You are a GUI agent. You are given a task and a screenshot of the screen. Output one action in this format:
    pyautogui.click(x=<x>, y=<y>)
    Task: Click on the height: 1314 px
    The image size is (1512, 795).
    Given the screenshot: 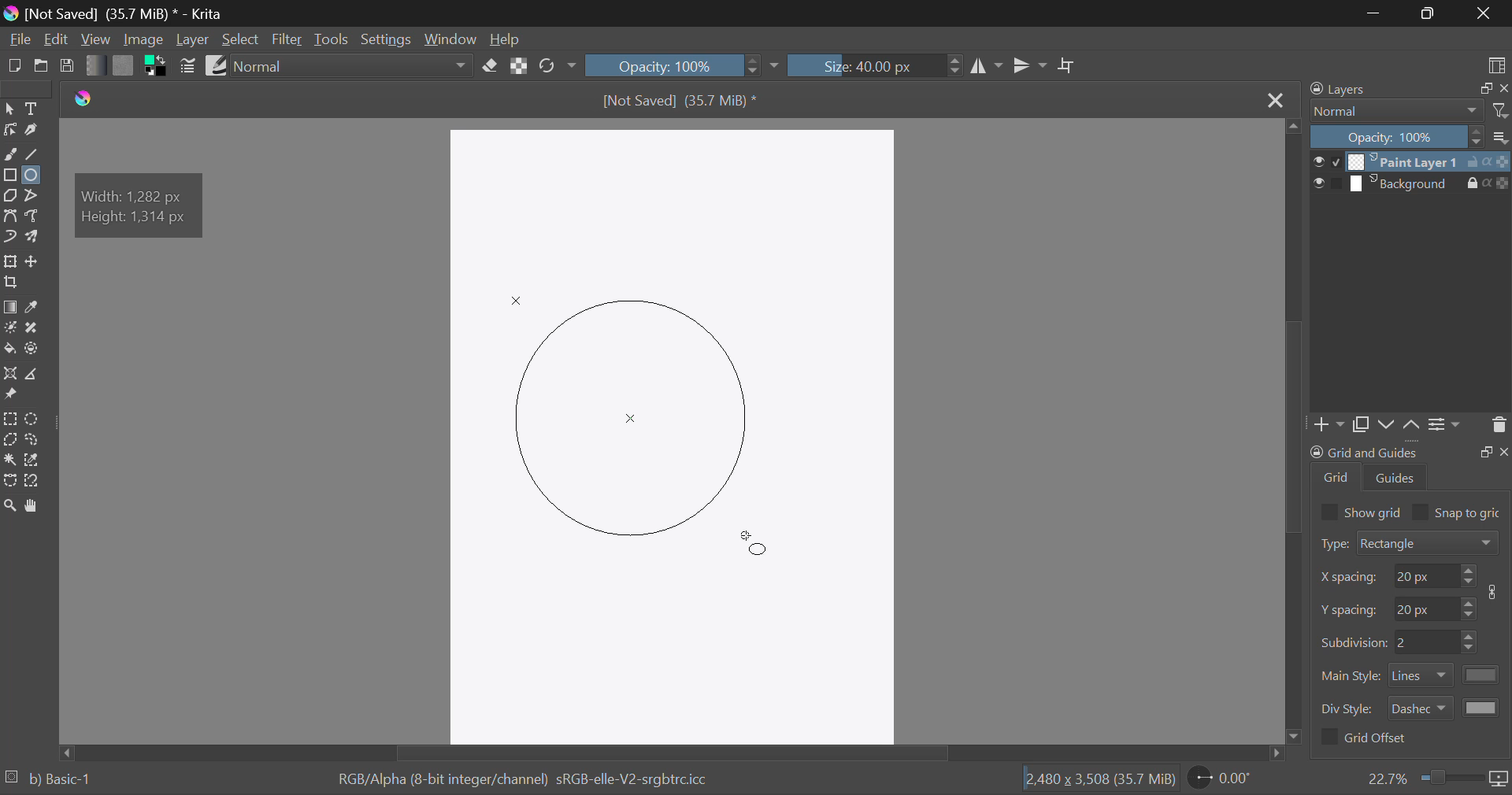 What is the action you would take?
    pyautogui.click(x=134, y=217)
    